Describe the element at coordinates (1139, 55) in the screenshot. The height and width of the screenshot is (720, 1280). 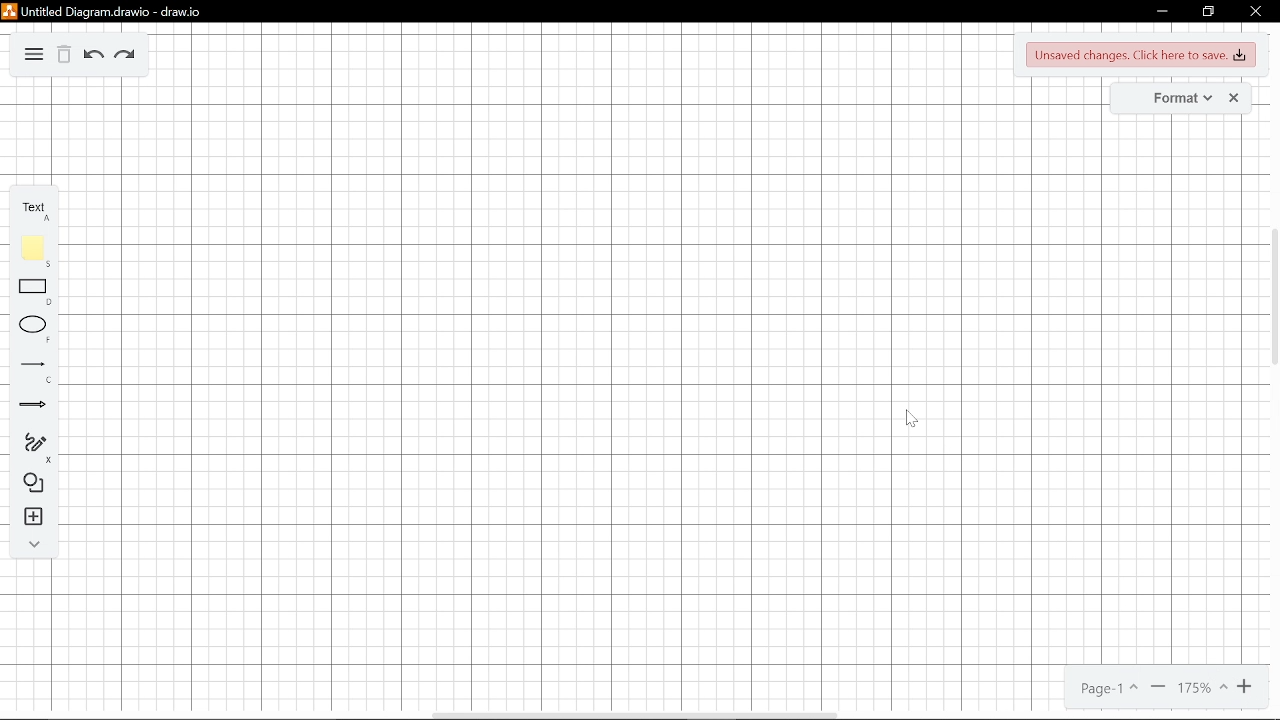
I see `unsaved changes. Click here to save` at that location.